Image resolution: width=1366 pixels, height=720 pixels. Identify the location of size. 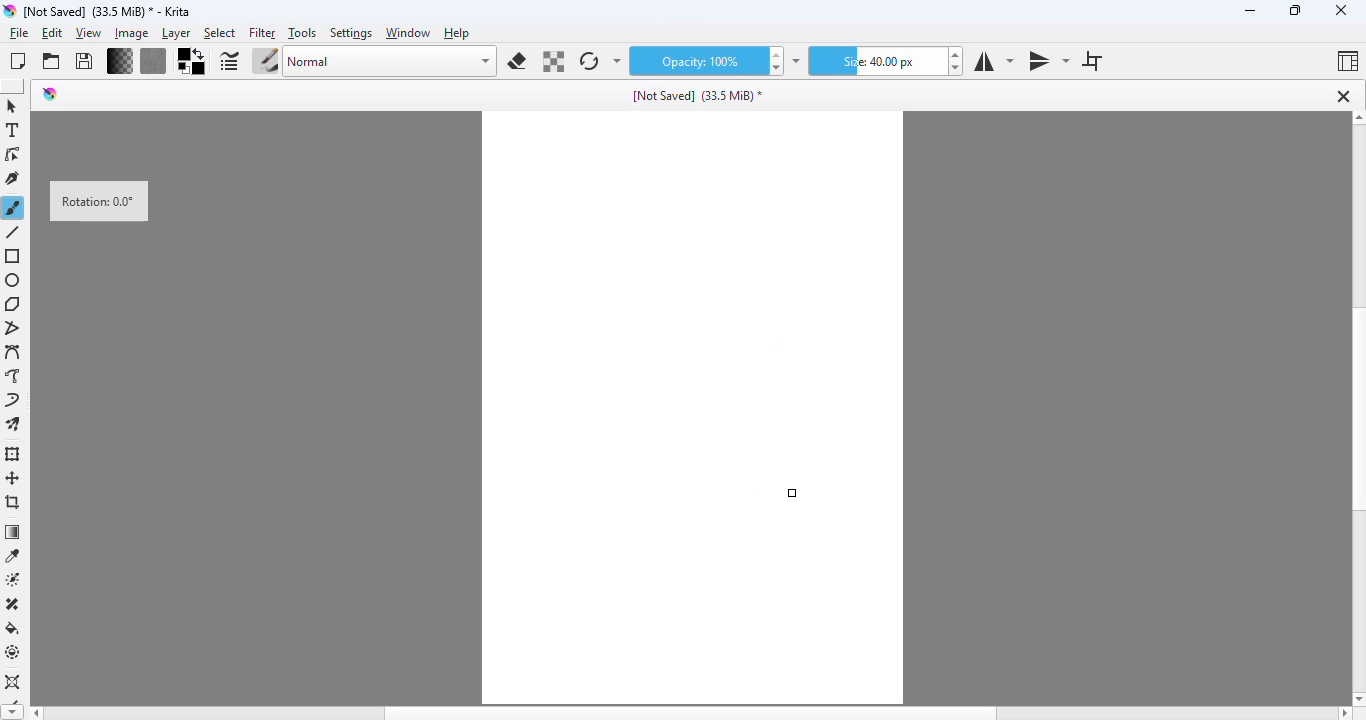
(878, 61).